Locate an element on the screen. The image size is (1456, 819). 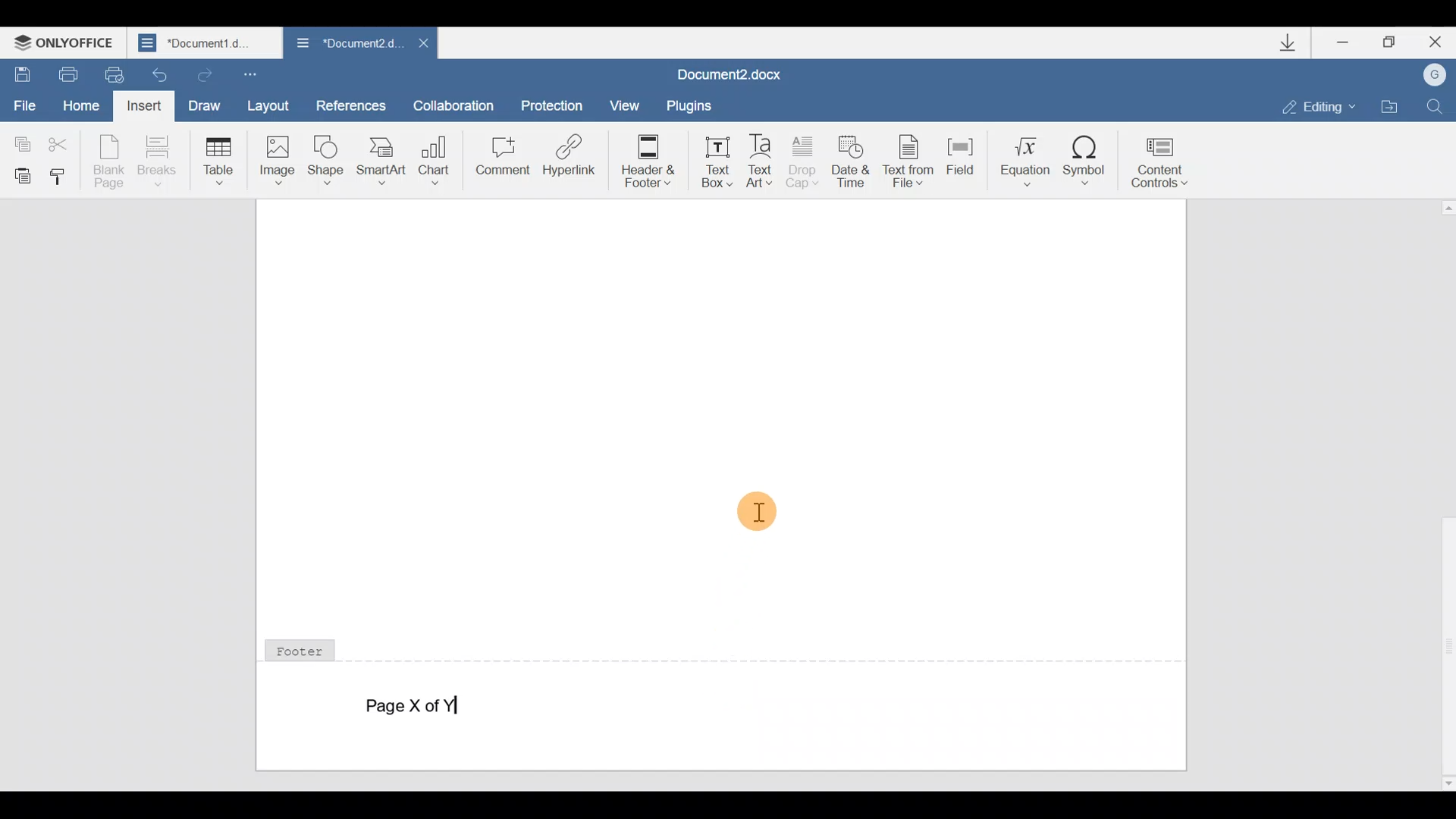
Table is located at coordinates (215, 160).